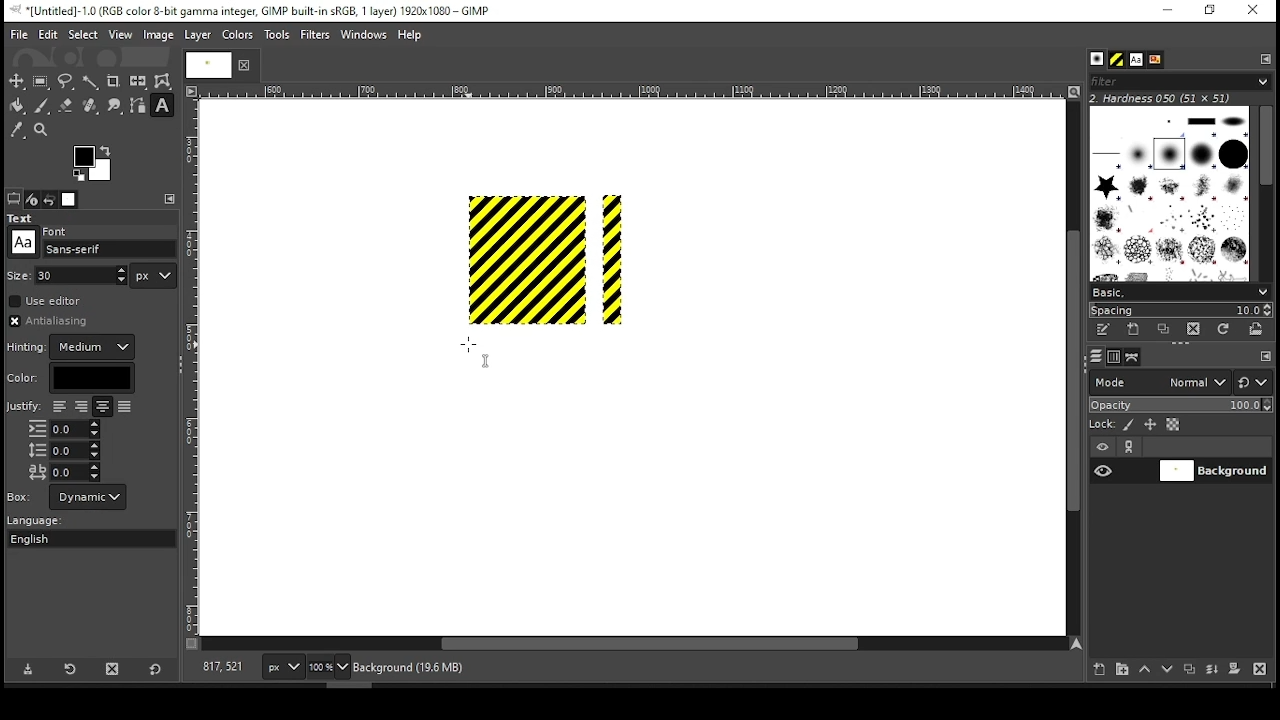  I want to click on select, so click(82, 33).